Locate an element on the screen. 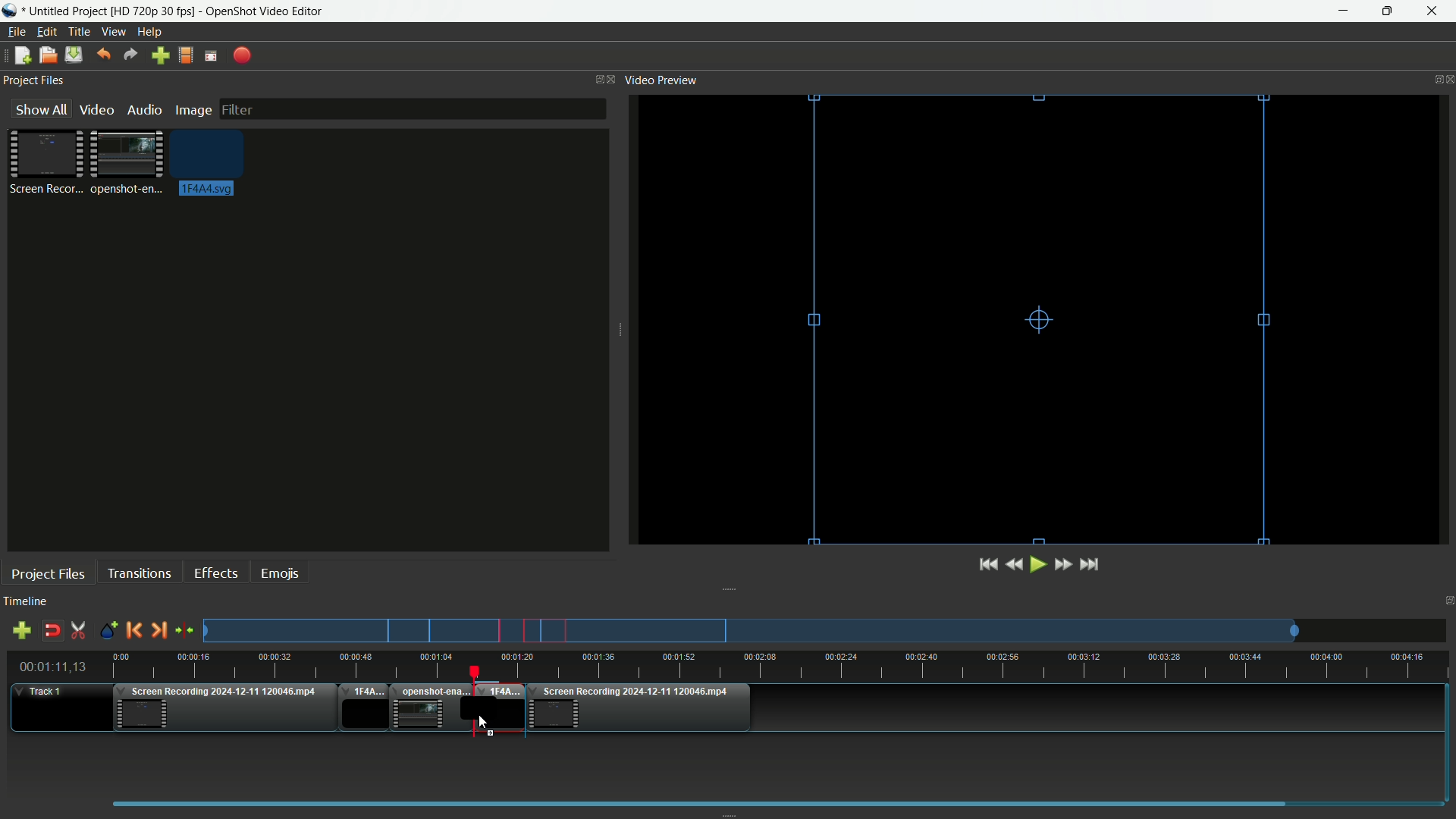 The image size is (1456, 819). maximize is located at coordinates (1387, 11).